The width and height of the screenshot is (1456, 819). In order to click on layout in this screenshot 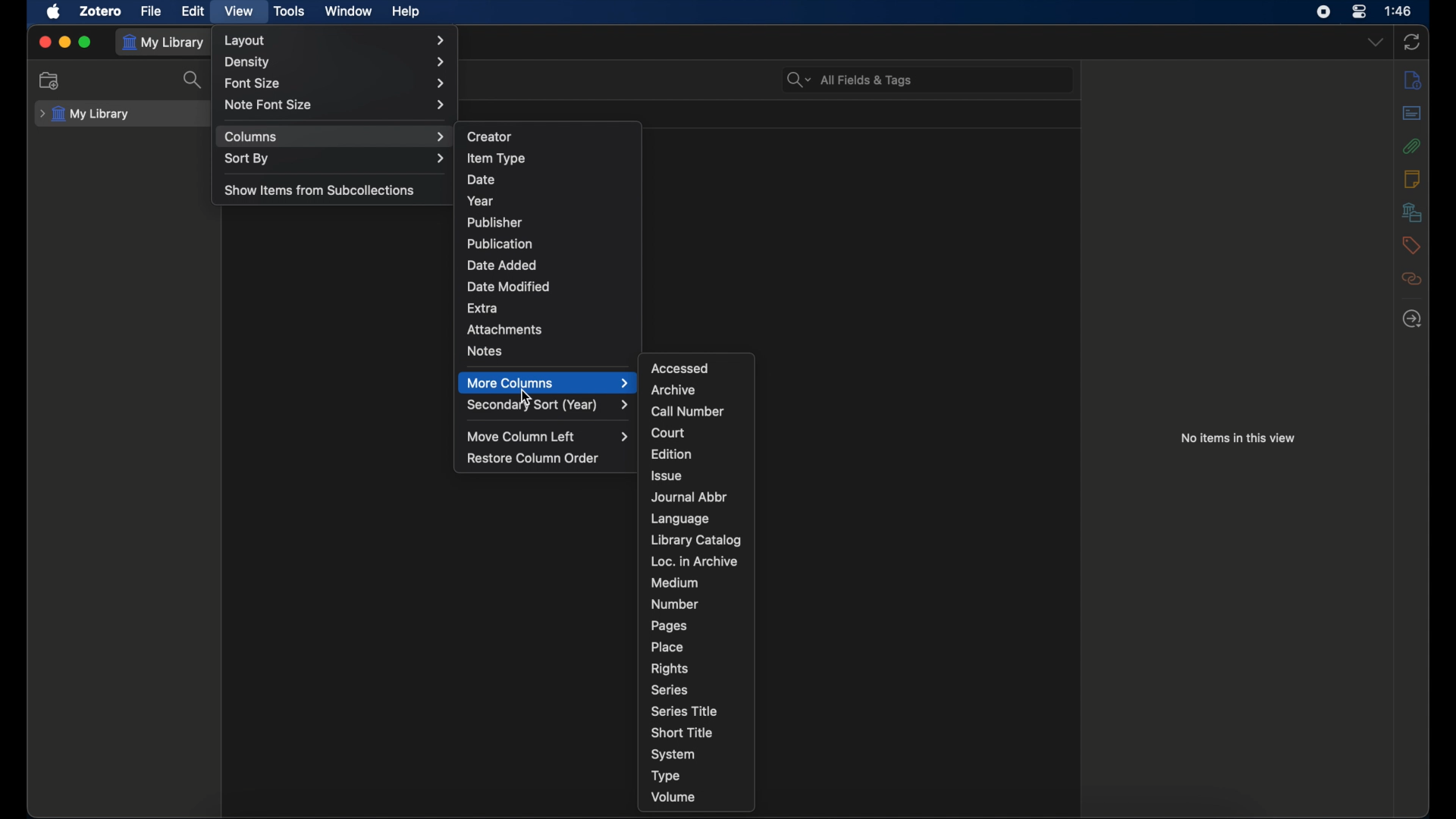, I will do `click(338, 40)`.